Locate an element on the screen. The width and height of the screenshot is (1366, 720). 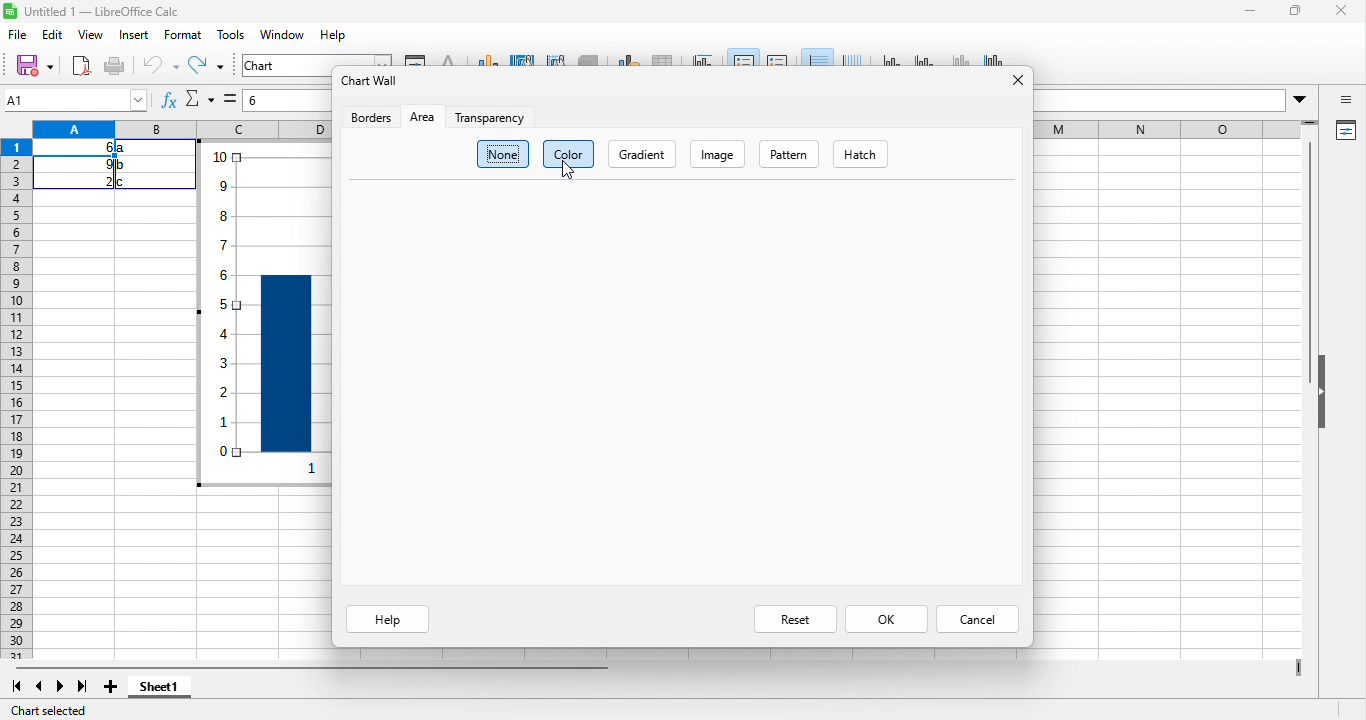
select function is located at coordinates (198, 99).